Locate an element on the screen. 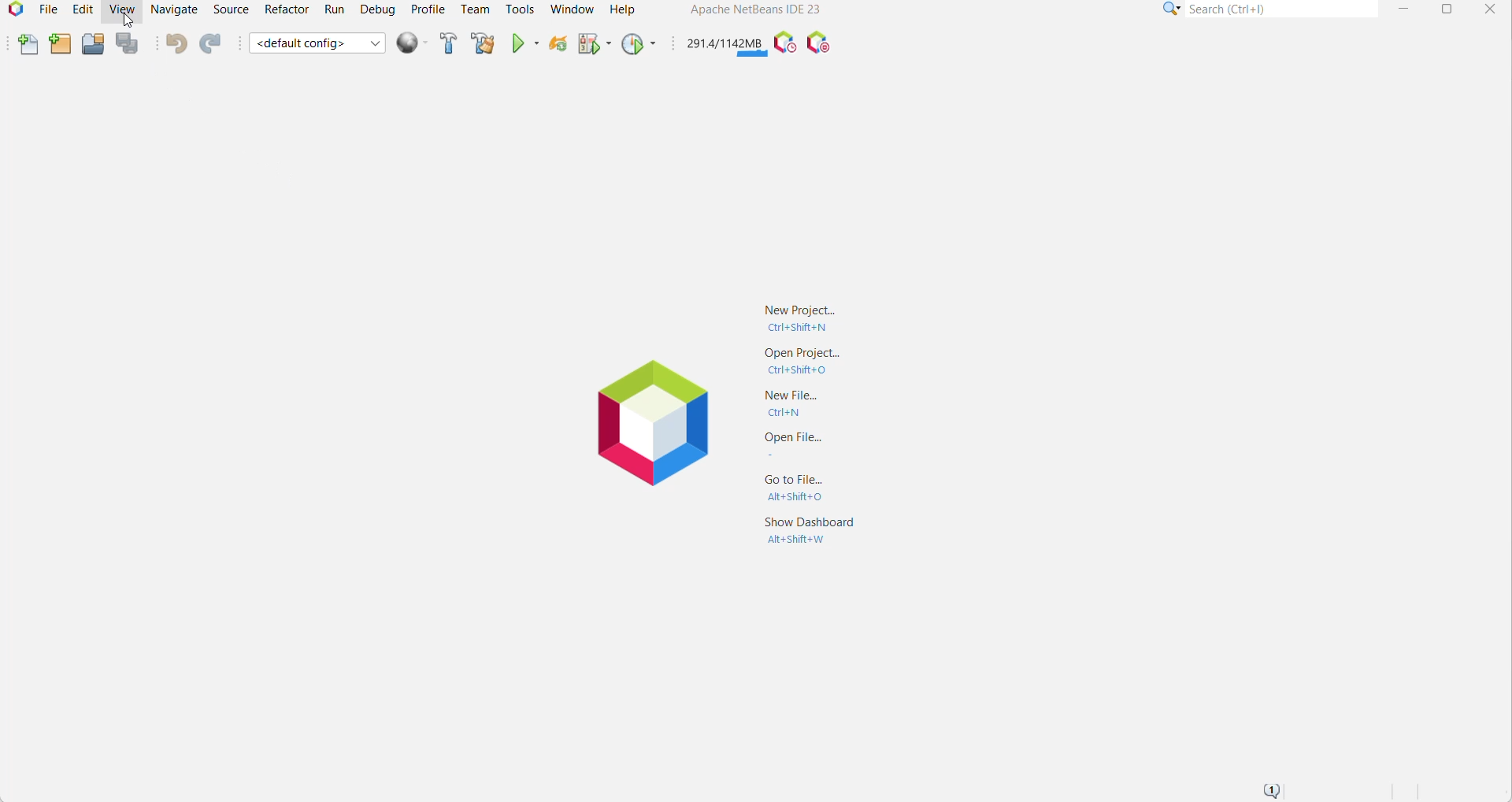  Profile Main Project is located at coordinates (637, 45).